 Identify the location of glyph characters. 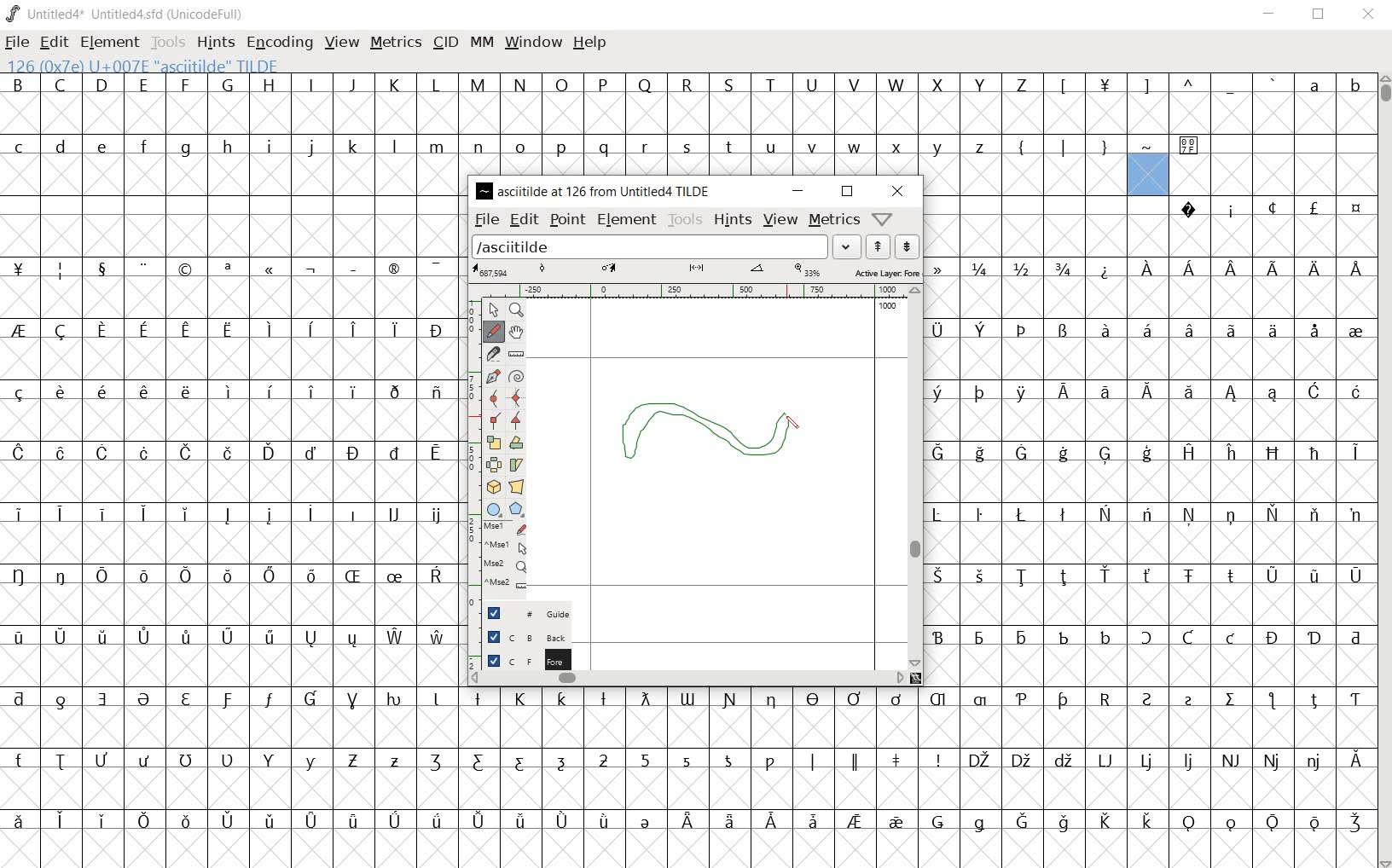
(1150, 443).